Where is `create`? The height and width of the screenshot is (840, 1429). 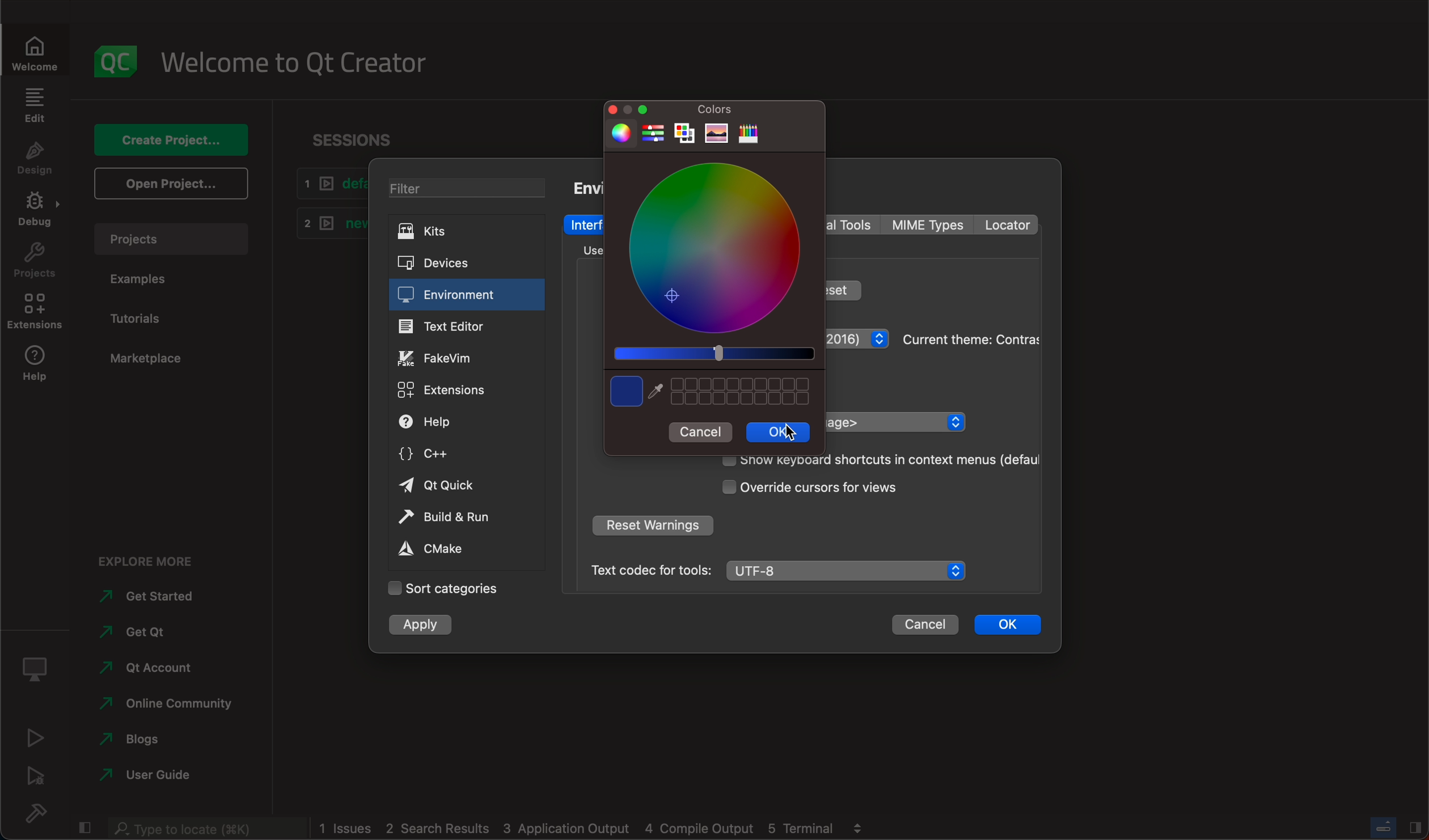
create is located at coordinates (170, 135).